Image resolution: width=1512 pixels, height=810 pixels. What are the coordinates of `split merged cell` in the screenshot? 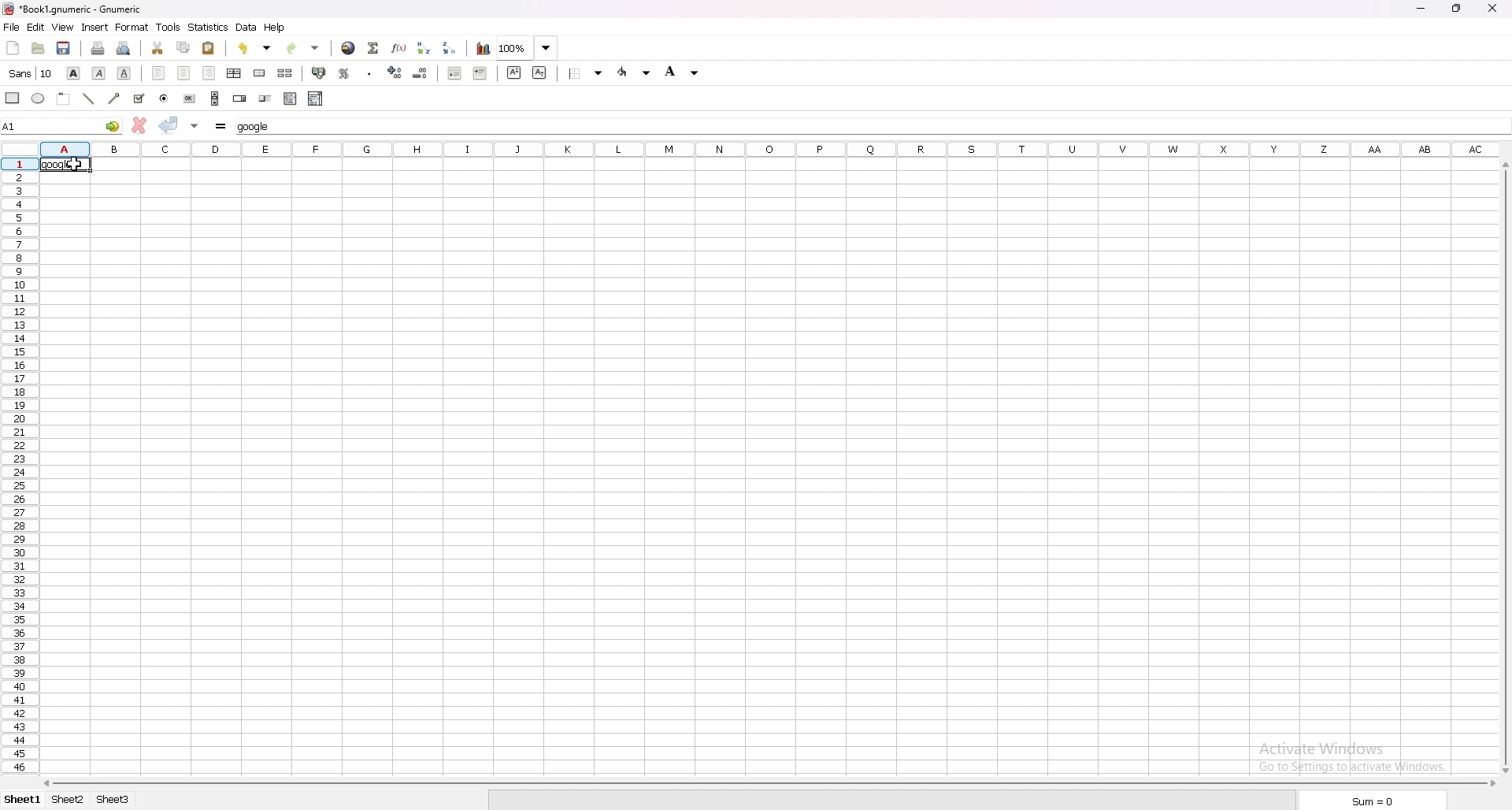 It's located at (286, 73).